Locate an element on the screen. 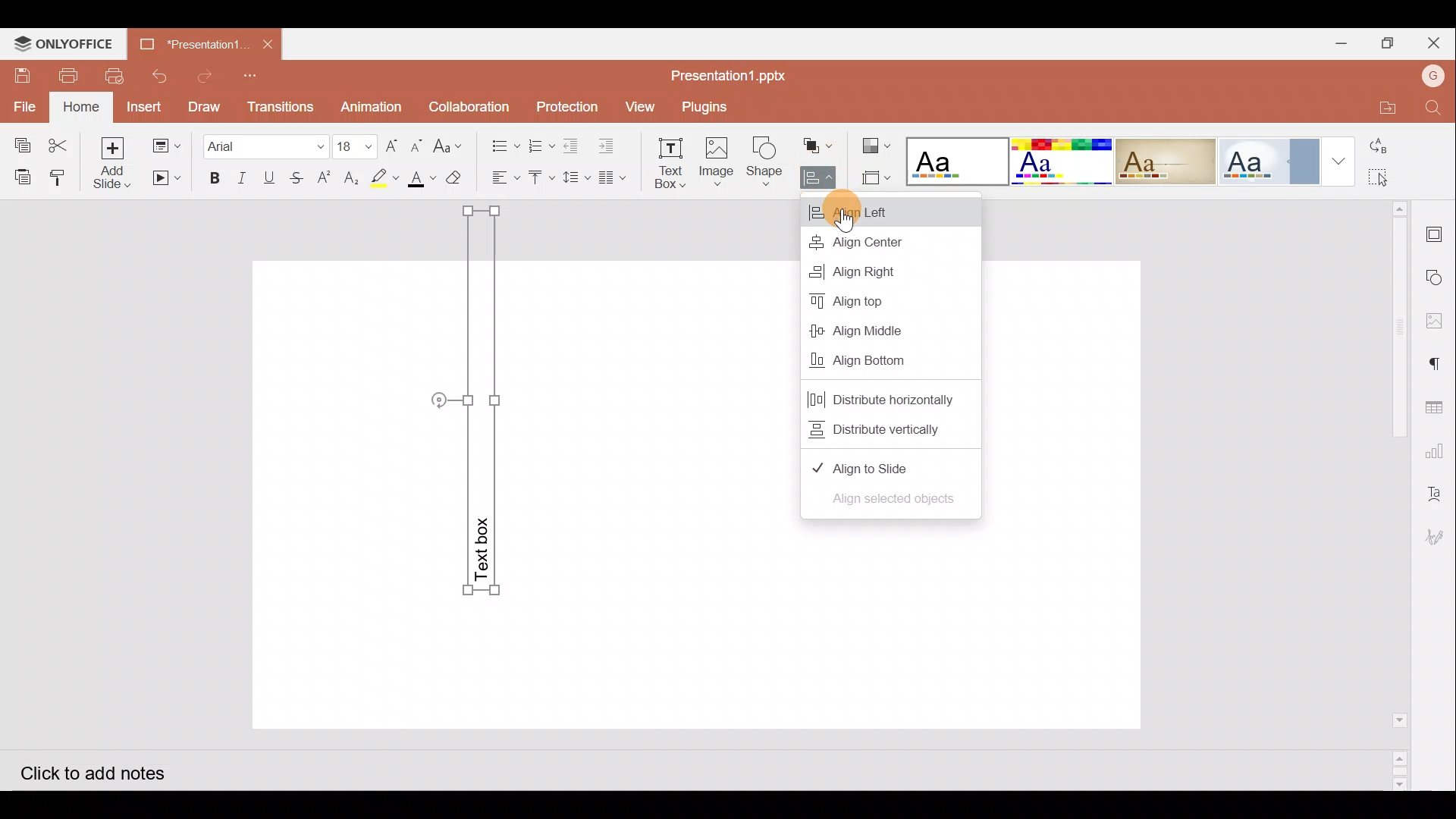  Official is located at coordinates (1269, 160).